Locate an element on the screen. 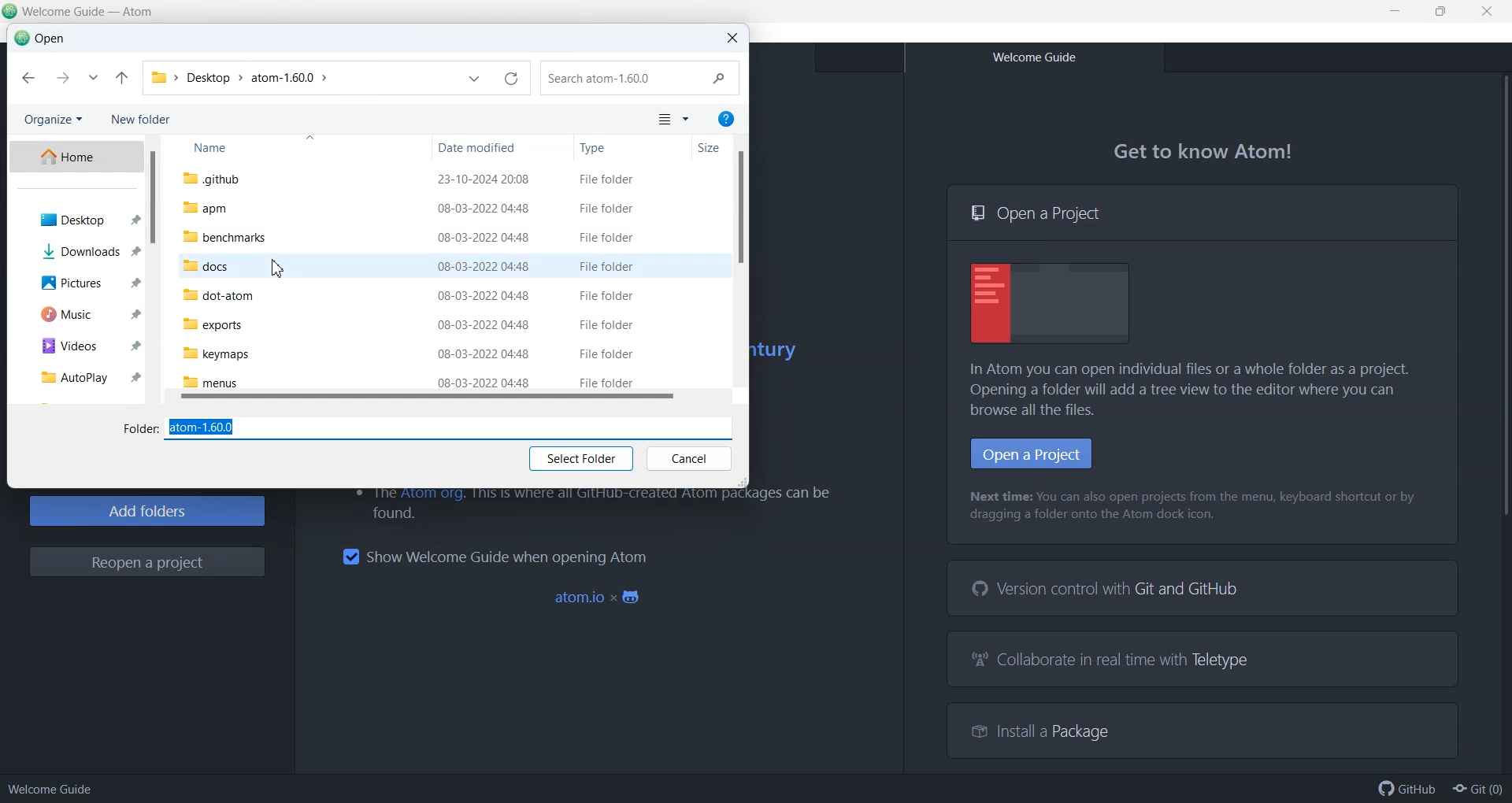  Vertical Scroll bar is located at coordinates (152, 269).